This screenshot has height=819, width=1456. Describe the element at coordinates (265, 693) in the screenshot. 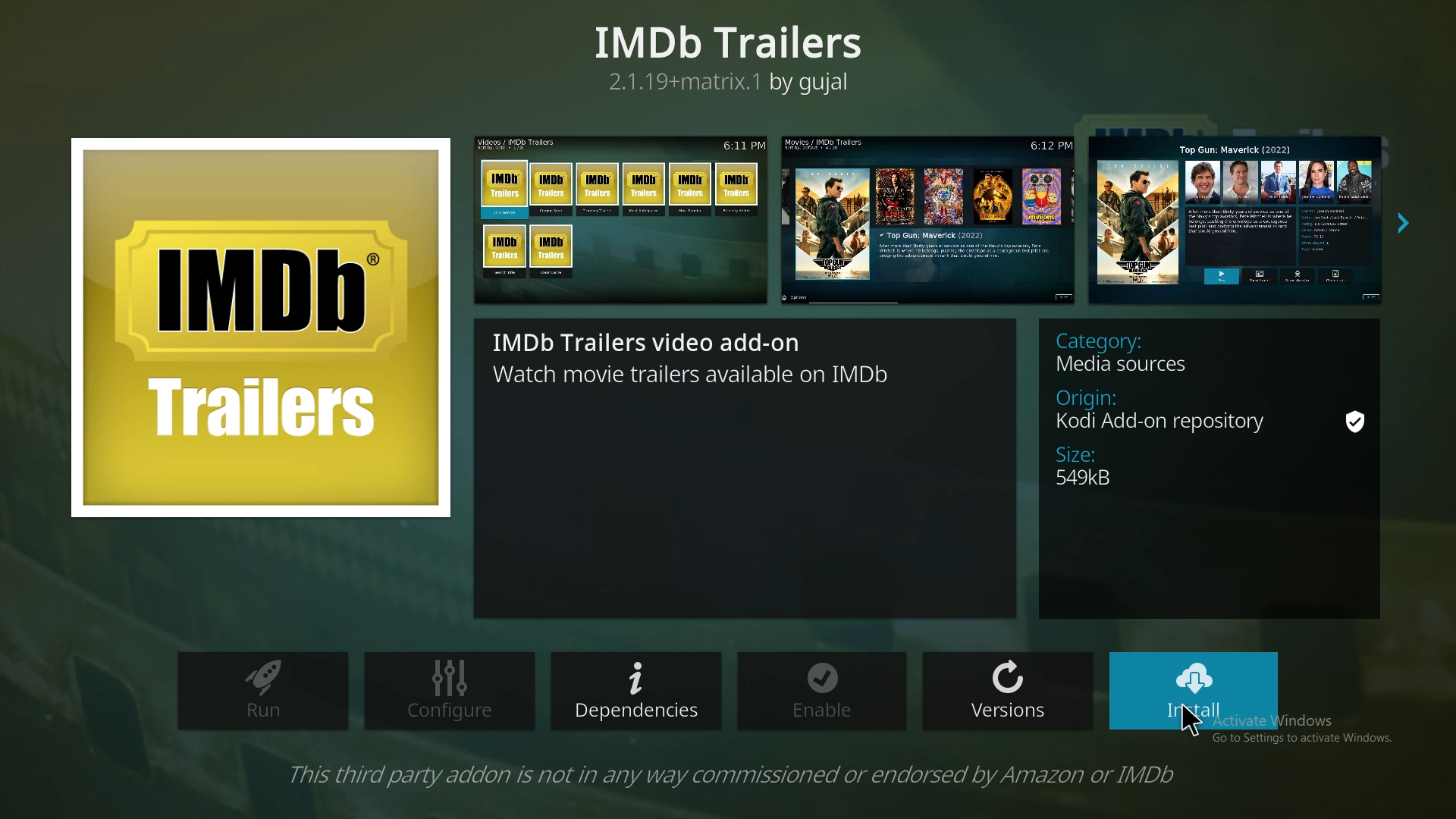

I see `run` at that location.